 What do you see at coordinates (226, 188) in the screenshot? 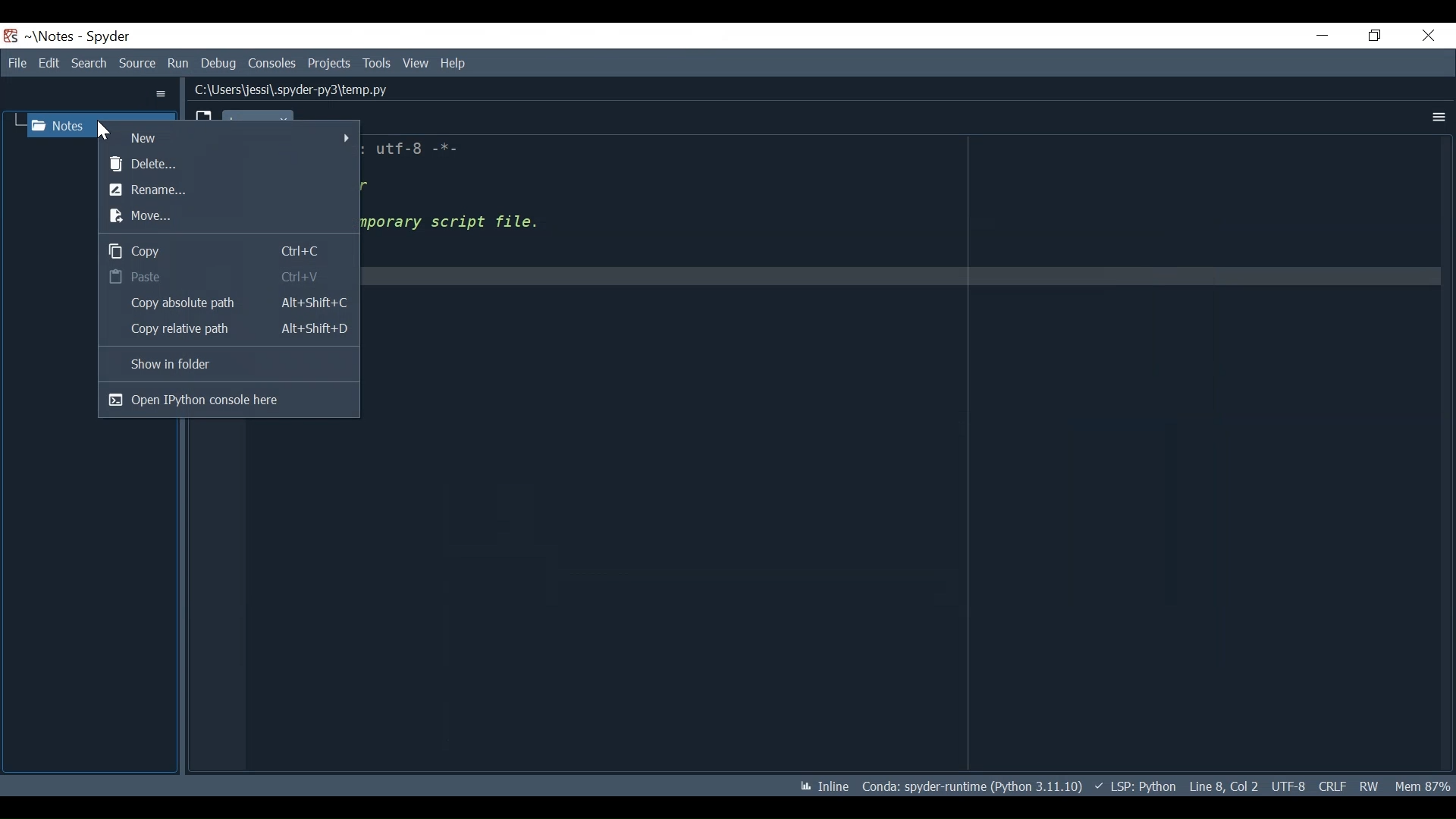
I see `Rename` at bounding box center [226, 188].